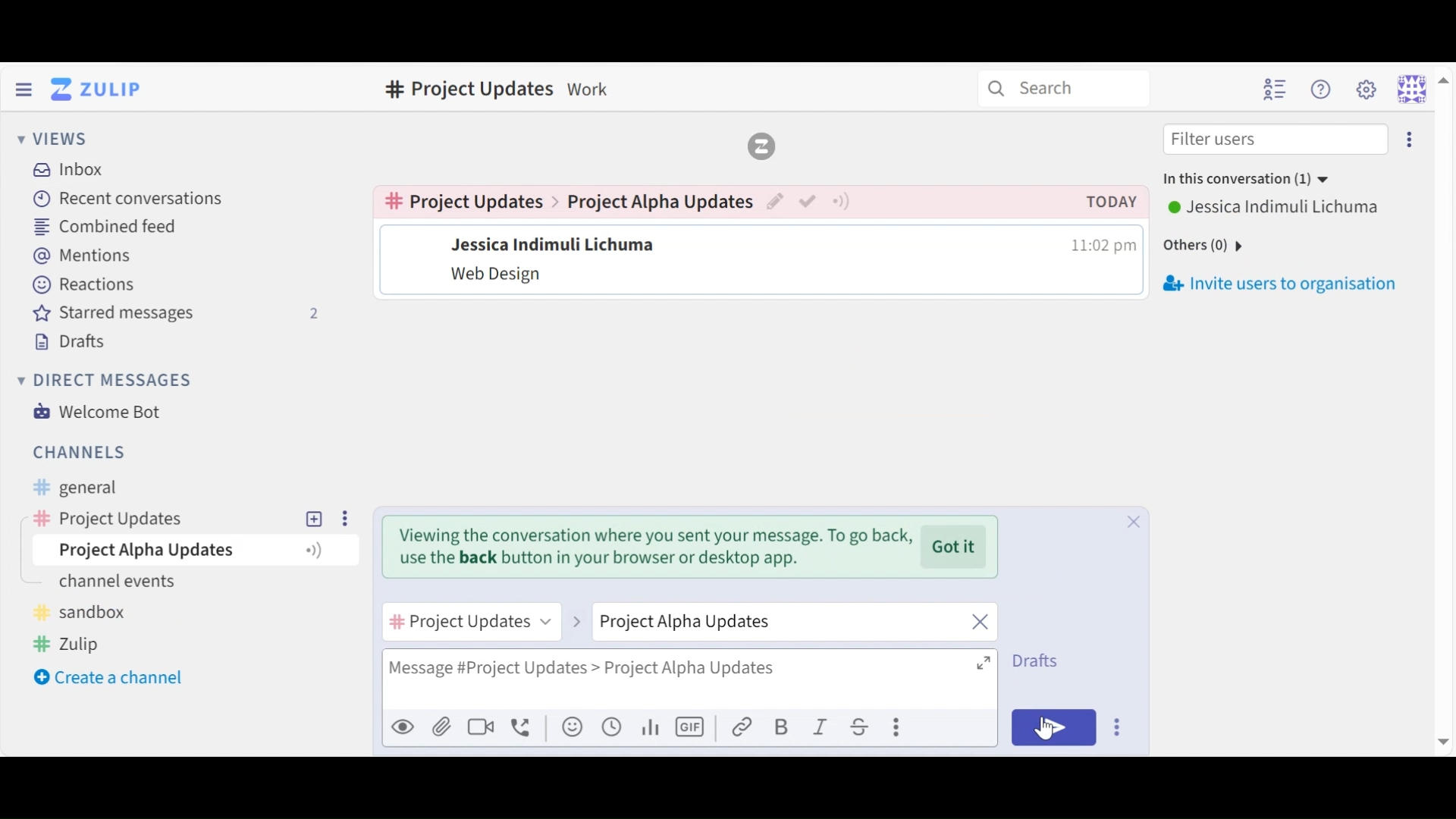 This screenshot has height=819, width=1456. I want to click on more, so click(345, 515).